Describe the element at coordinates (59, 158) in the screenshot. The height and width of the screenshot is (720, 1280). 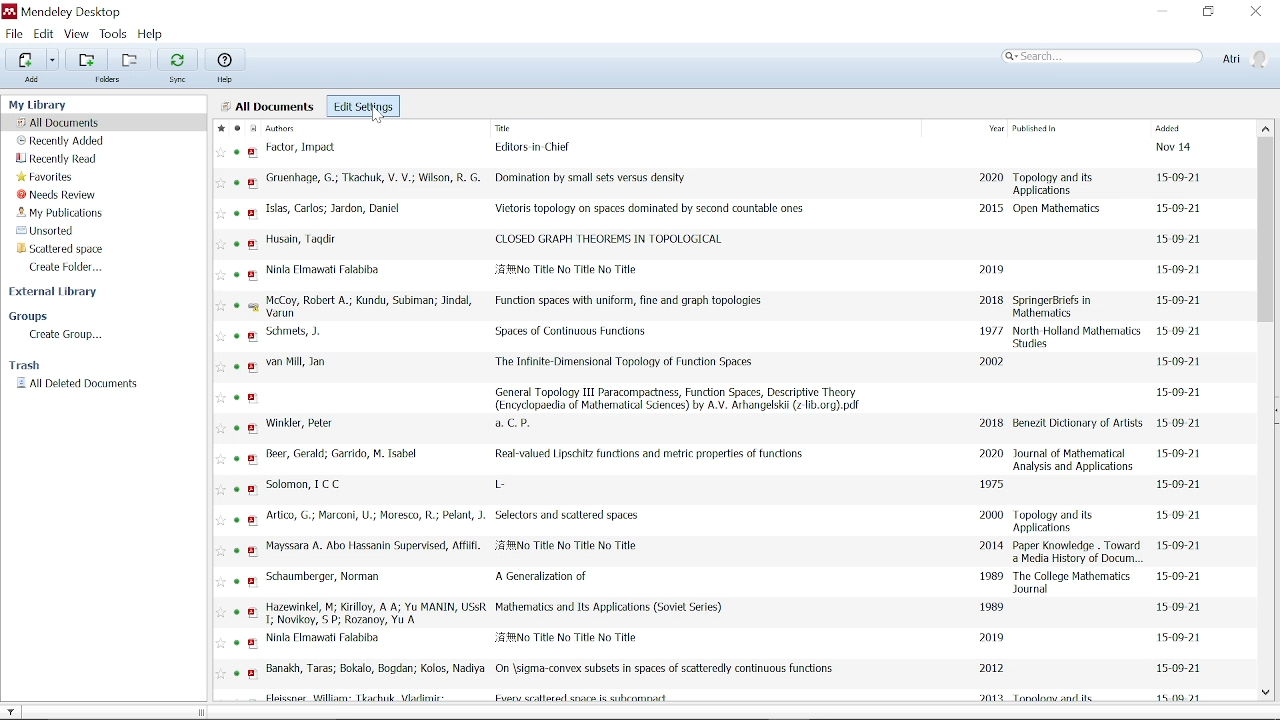
I see `Recently read` at that location.